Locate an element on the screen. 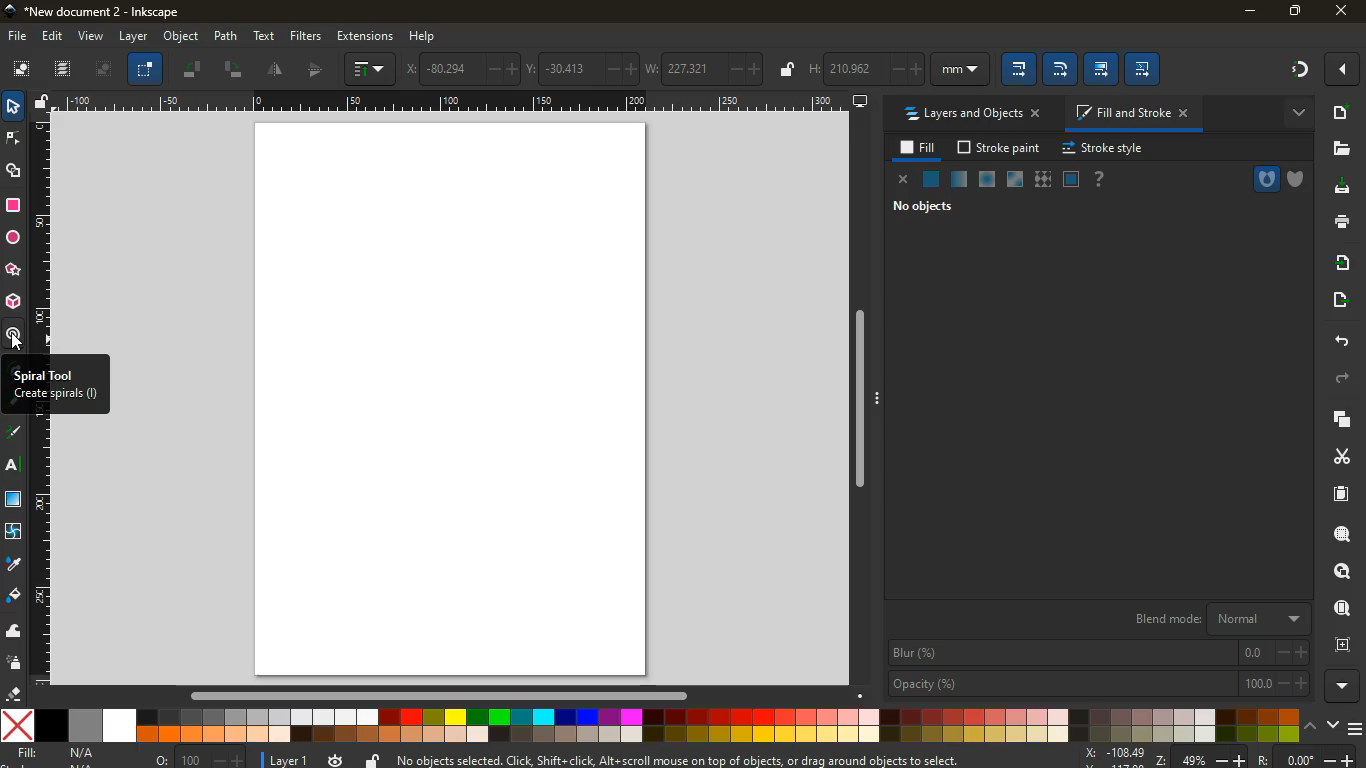 Image resolution: width=1366 pixels, height=768 pixels. blur is located at coordinates (1098, 653).